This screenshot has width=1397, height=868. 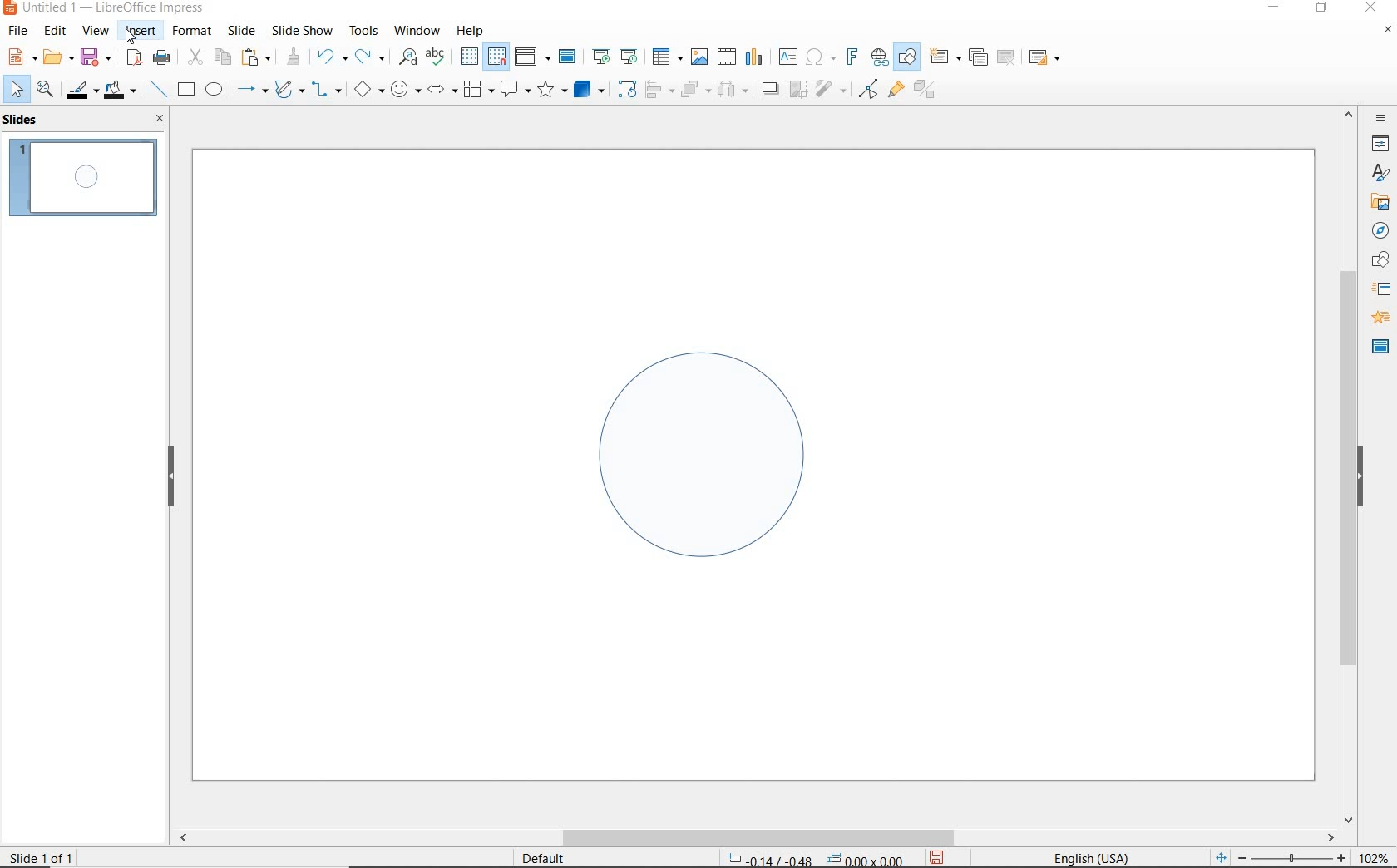 What do you see at coordinates (832, 86) in the screenshot?
I see `filter` at bounding box center [832, 86].